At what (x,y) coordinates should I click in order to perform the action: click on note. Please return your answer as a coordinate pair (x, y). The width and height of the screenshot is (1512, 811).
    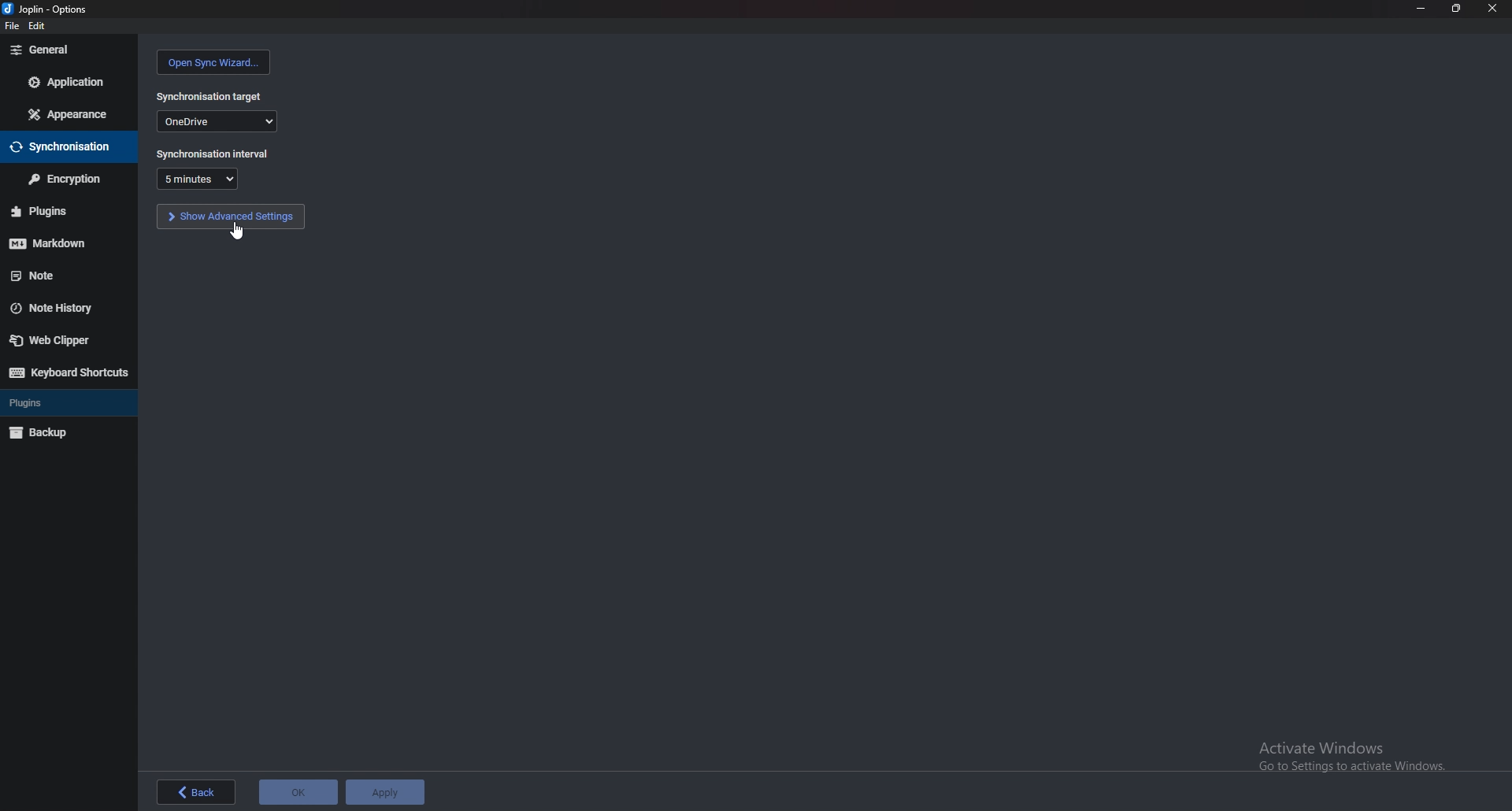
    Looking at the image, I should click on (61, 276).